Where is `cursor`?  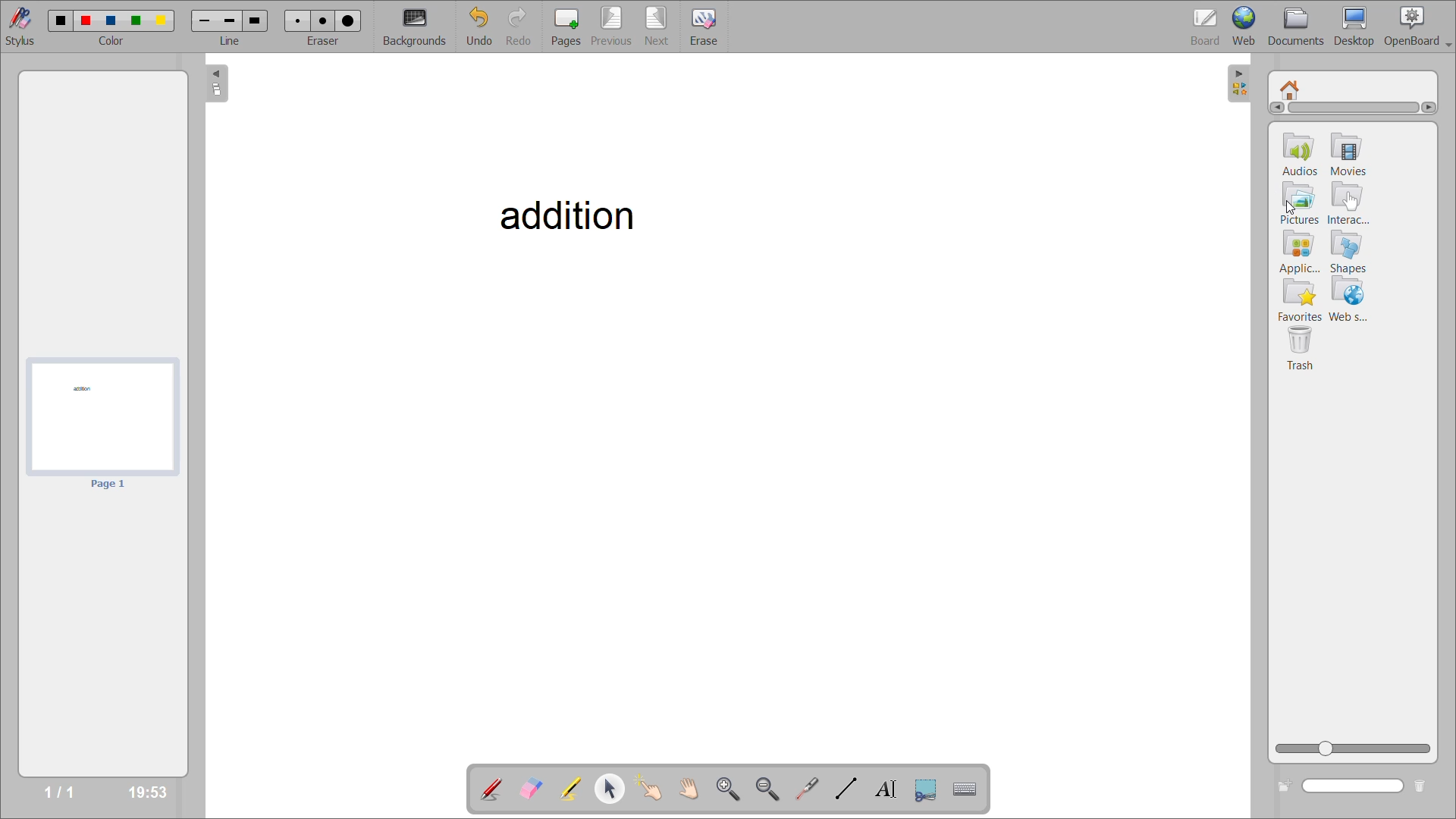 cursor is located at coordinates (1292, 209).